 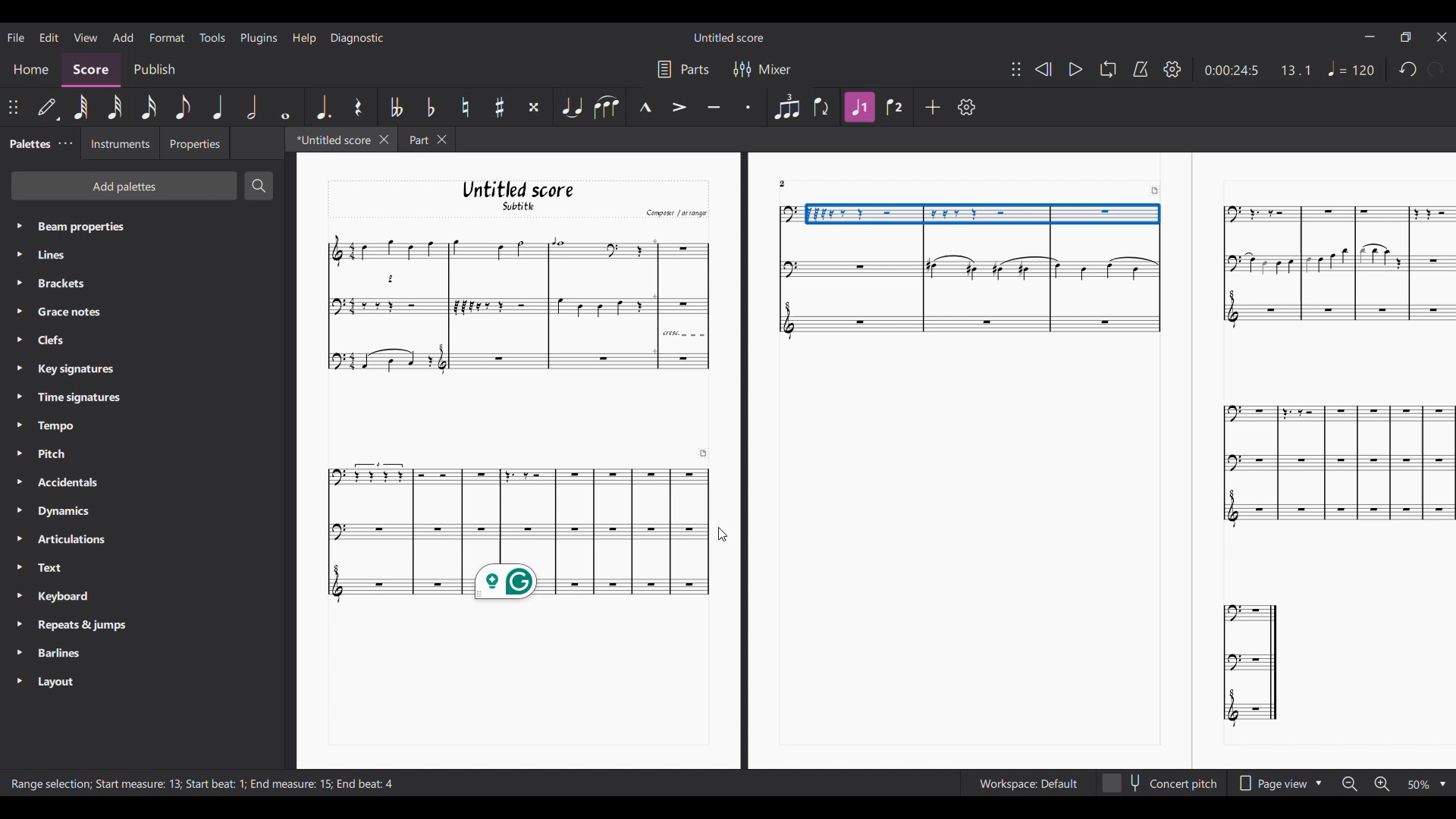 What do you see at coordinates (48, 110) in the screenshot?
I see `Default` at bounding box center [48, 110].